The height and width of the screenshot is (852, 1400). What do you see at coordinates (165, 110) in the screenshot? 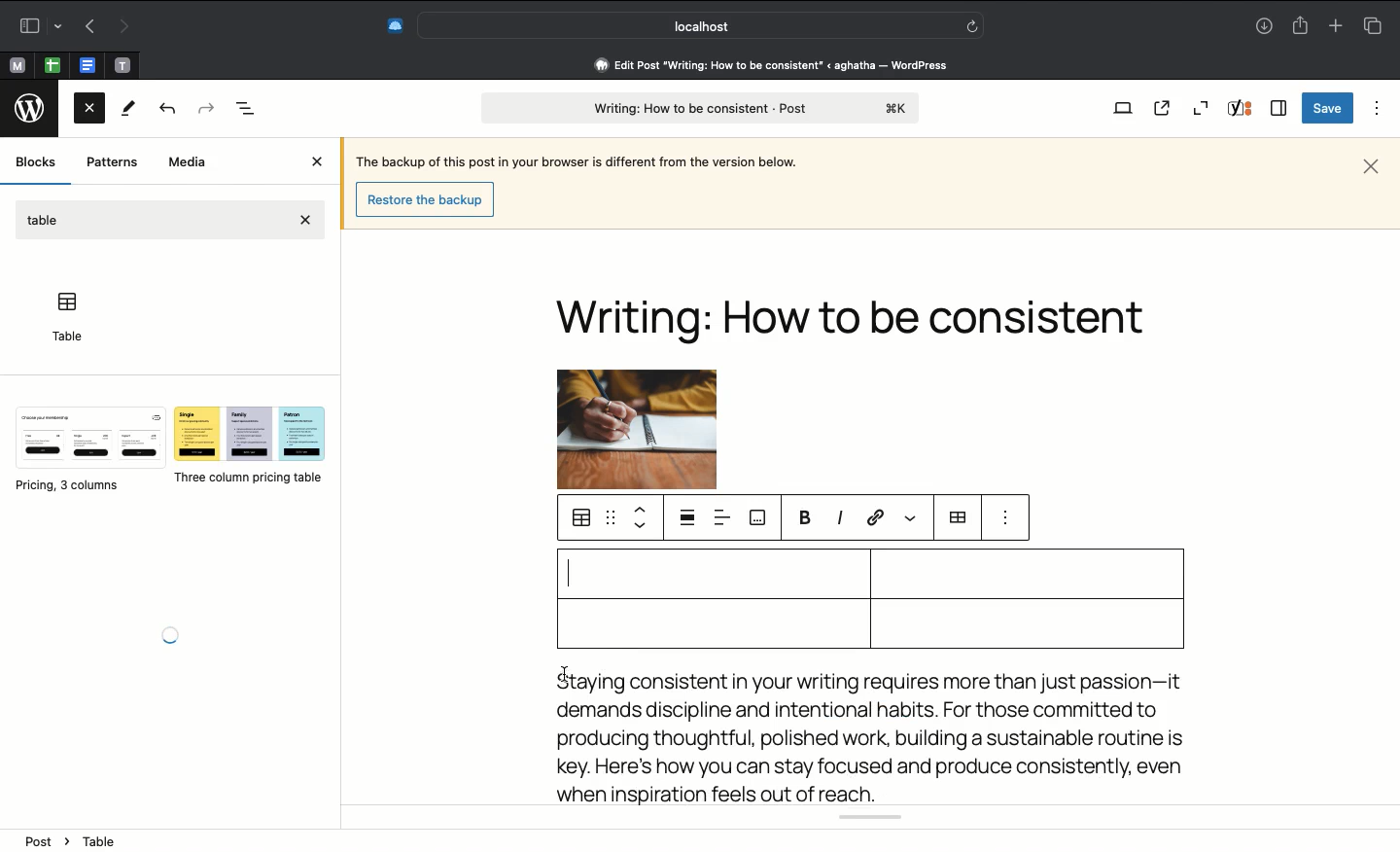
I see `Back` at bounding box center [165, 110].